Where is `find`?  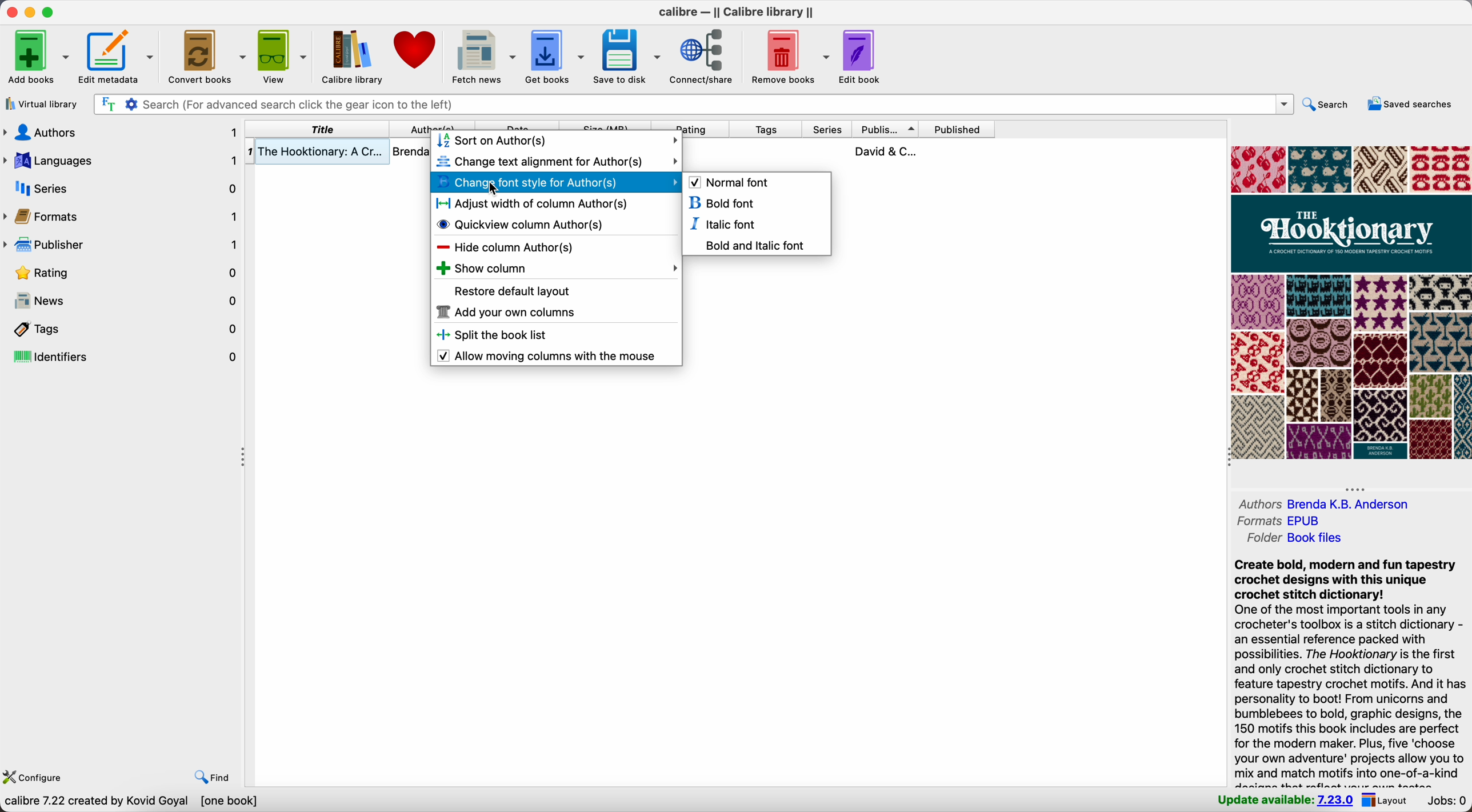
find is located at coordinates (209, 776).